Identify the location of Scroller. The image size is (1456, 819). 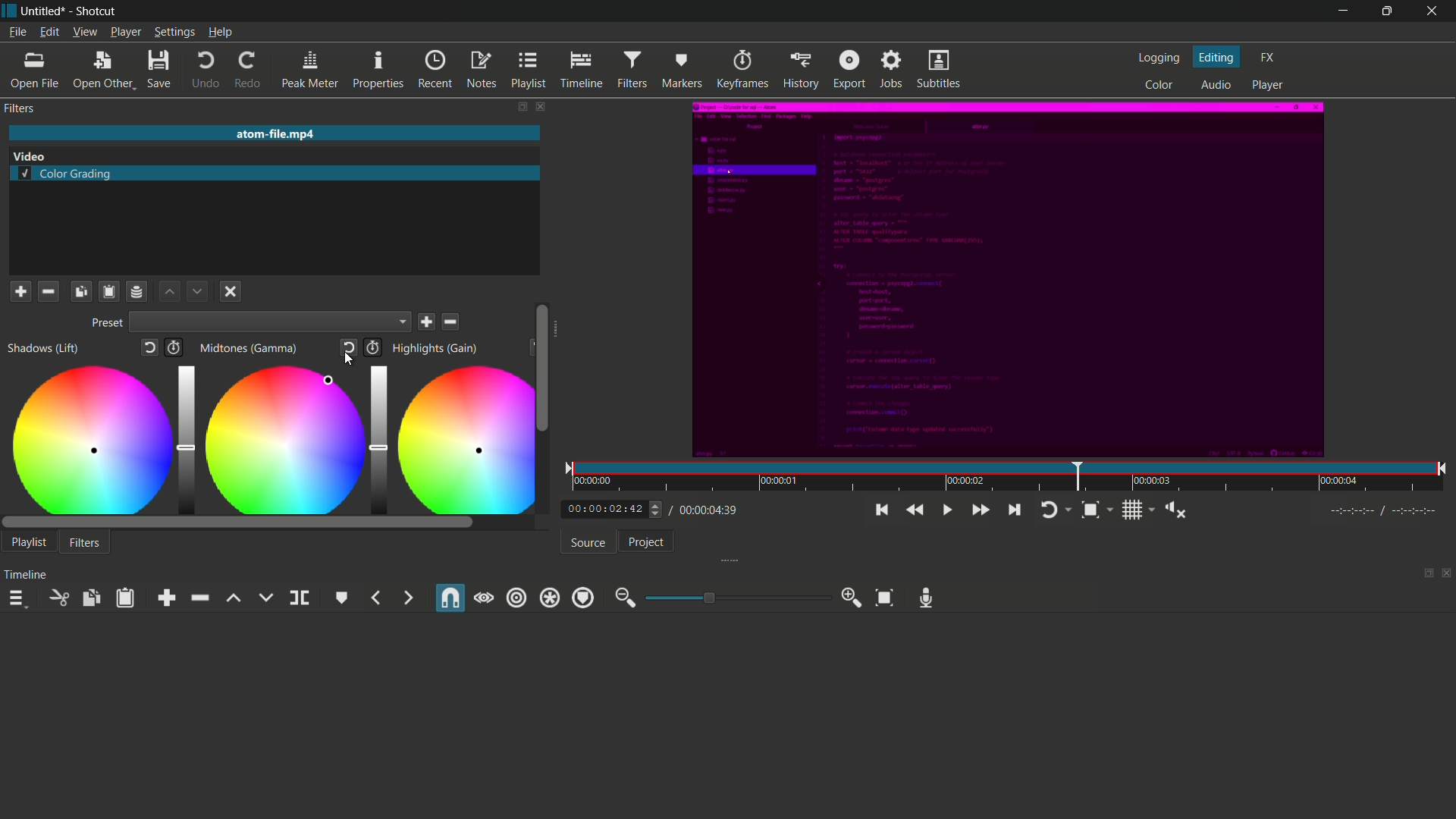
(542, 367).